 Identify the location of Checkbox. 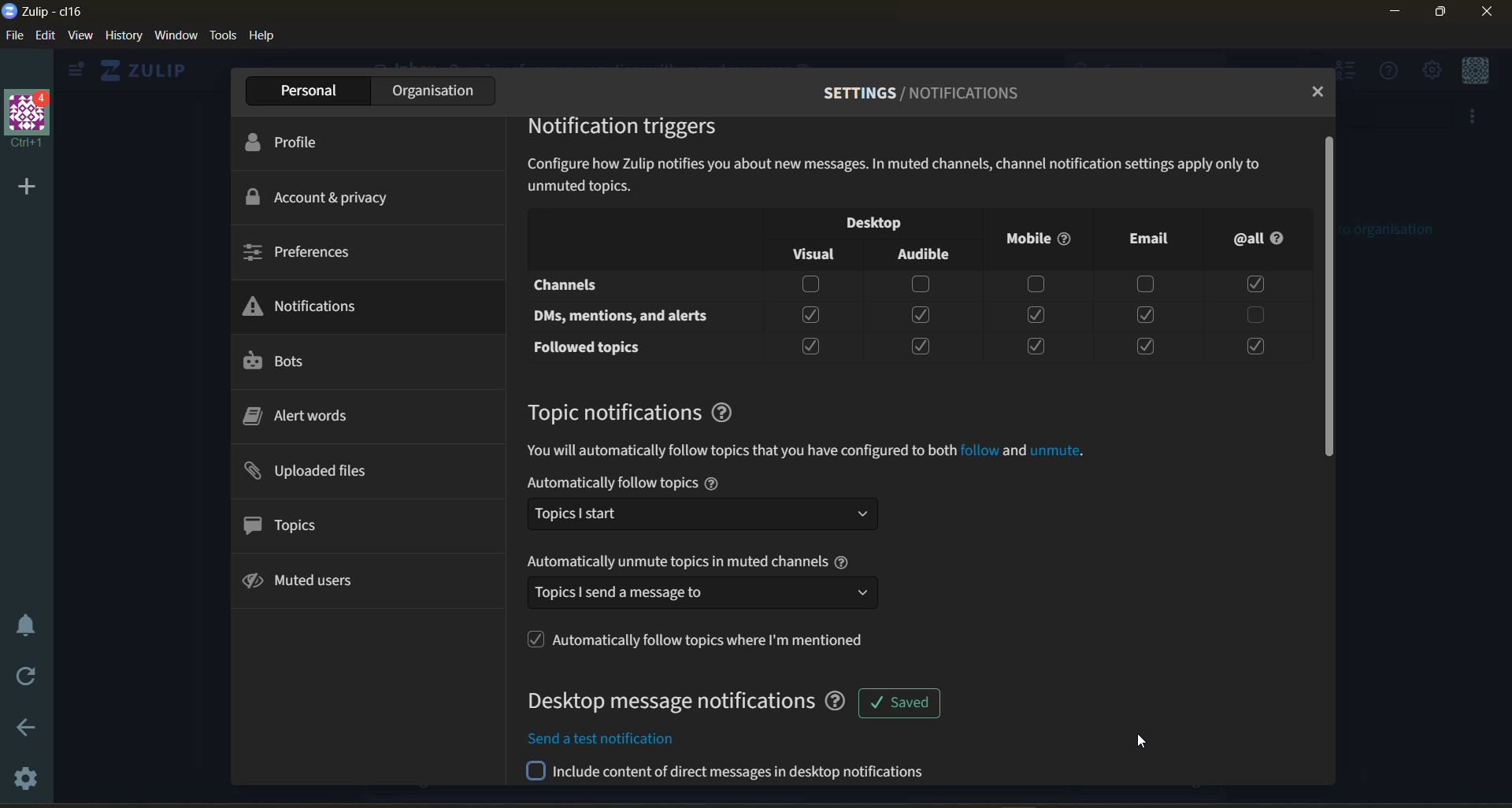
(1036, 313).